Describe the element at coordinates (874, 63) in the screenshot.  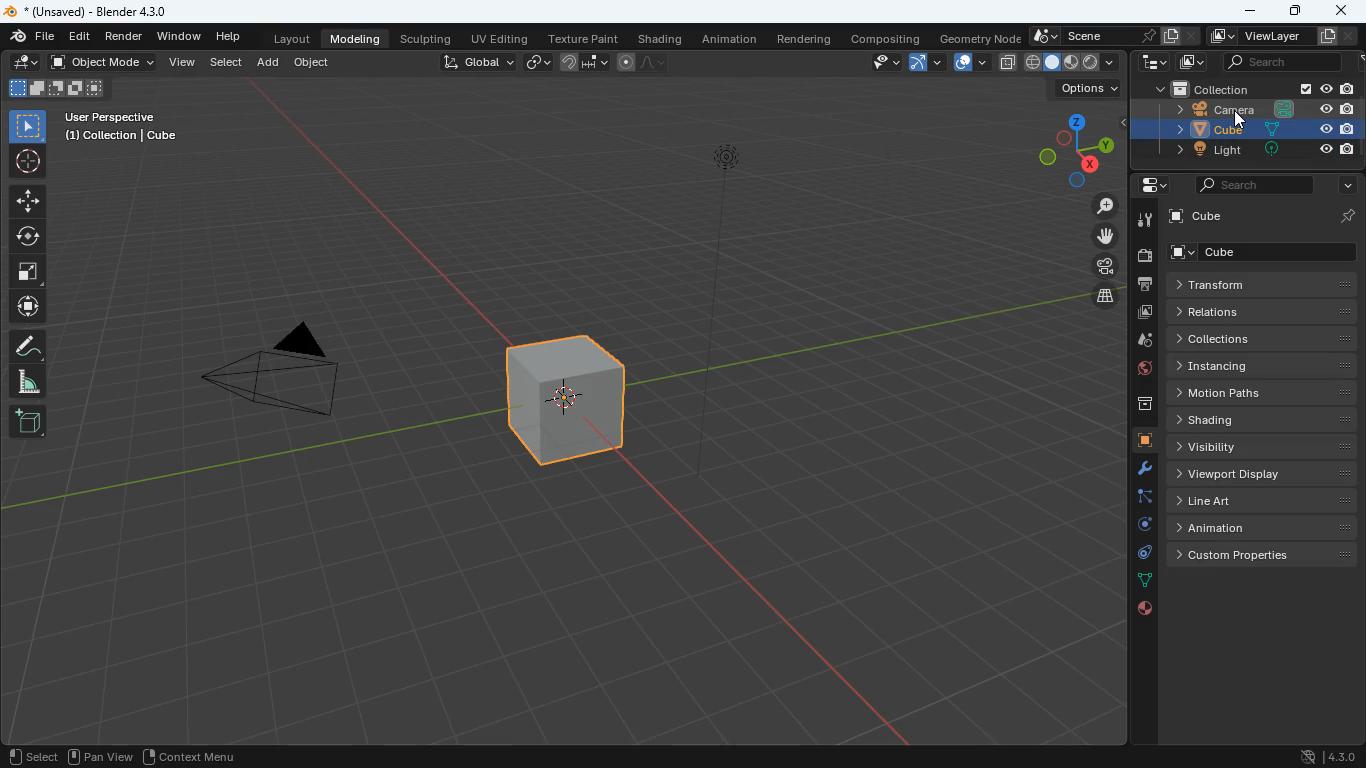
I see `view` at that location.